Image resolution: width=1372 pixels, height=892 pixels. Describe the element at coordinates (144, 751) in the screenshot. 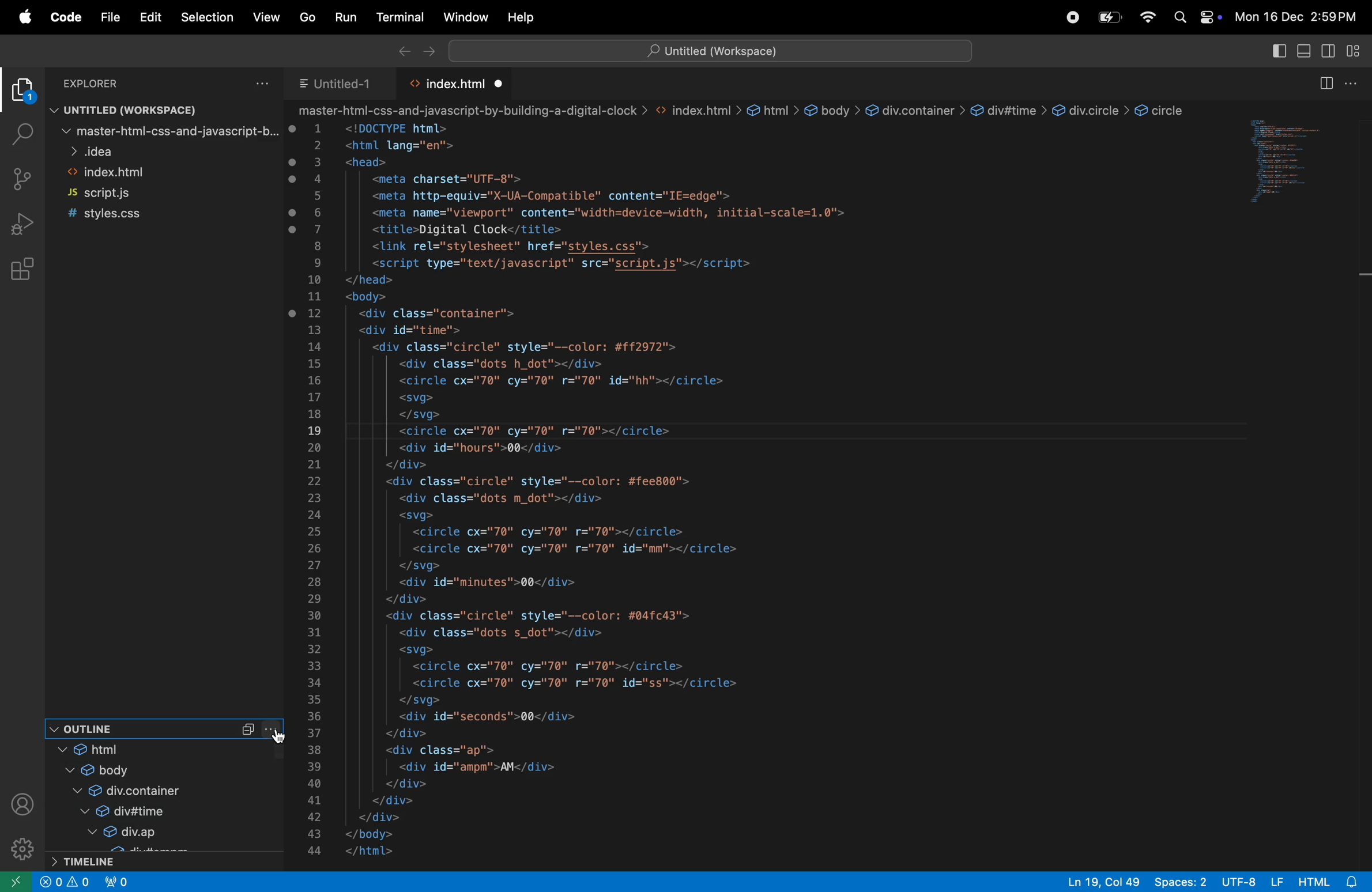

I see `html` at that location.